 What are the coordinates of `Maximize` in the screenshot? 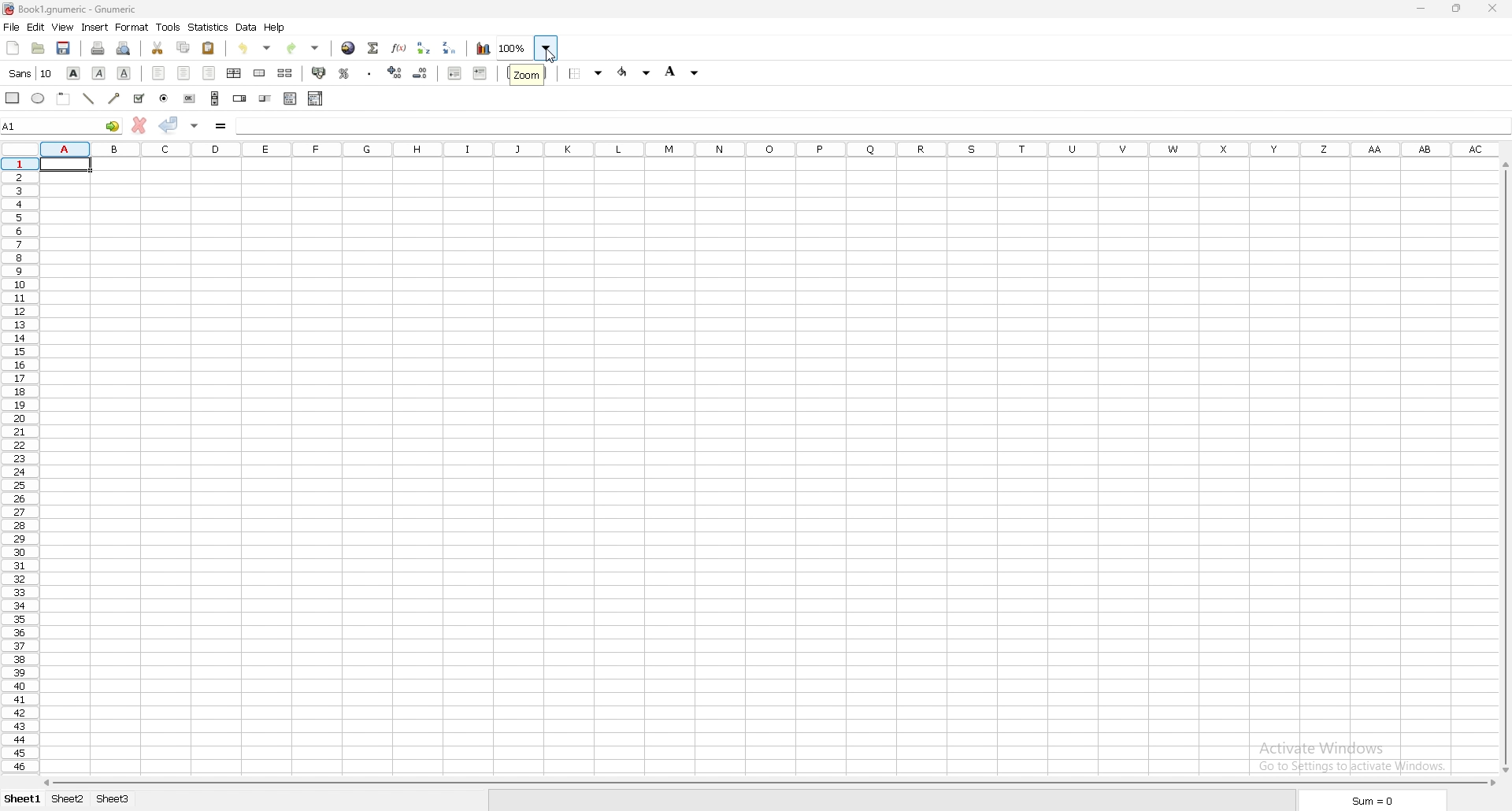 It's located at (1456, 9).